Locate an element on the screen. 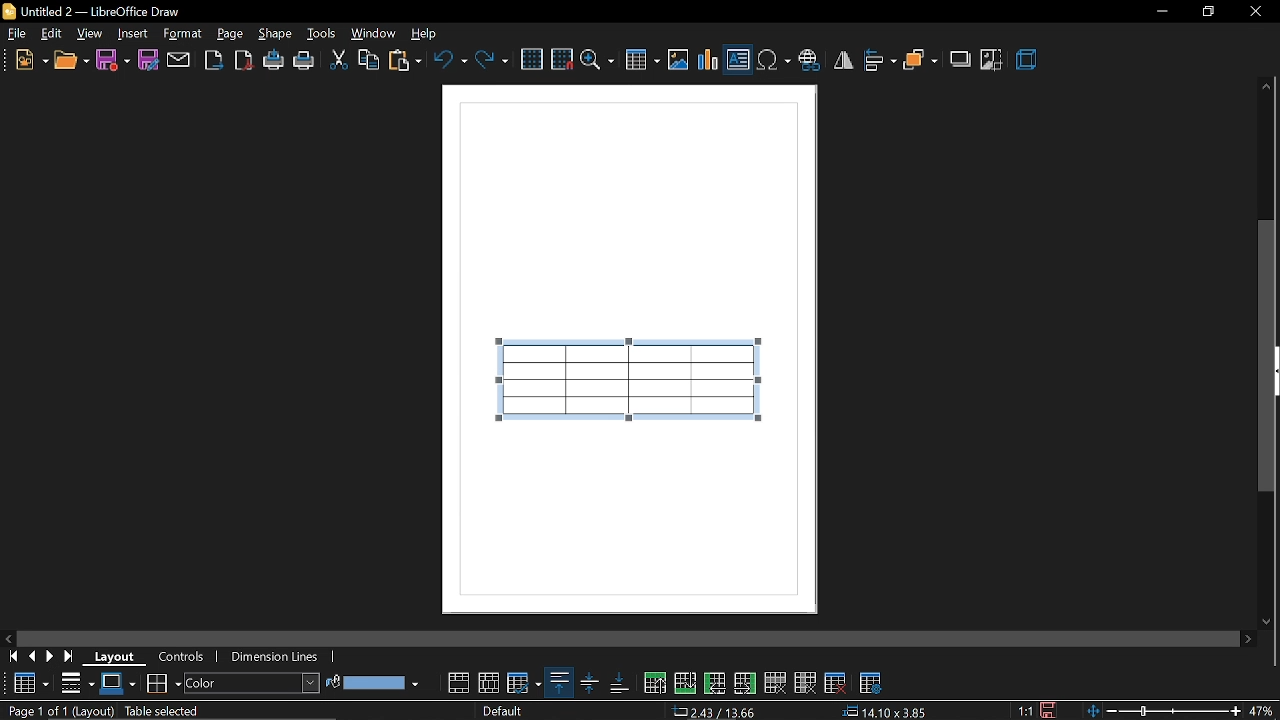  close is located at coordinates (1254, 14).